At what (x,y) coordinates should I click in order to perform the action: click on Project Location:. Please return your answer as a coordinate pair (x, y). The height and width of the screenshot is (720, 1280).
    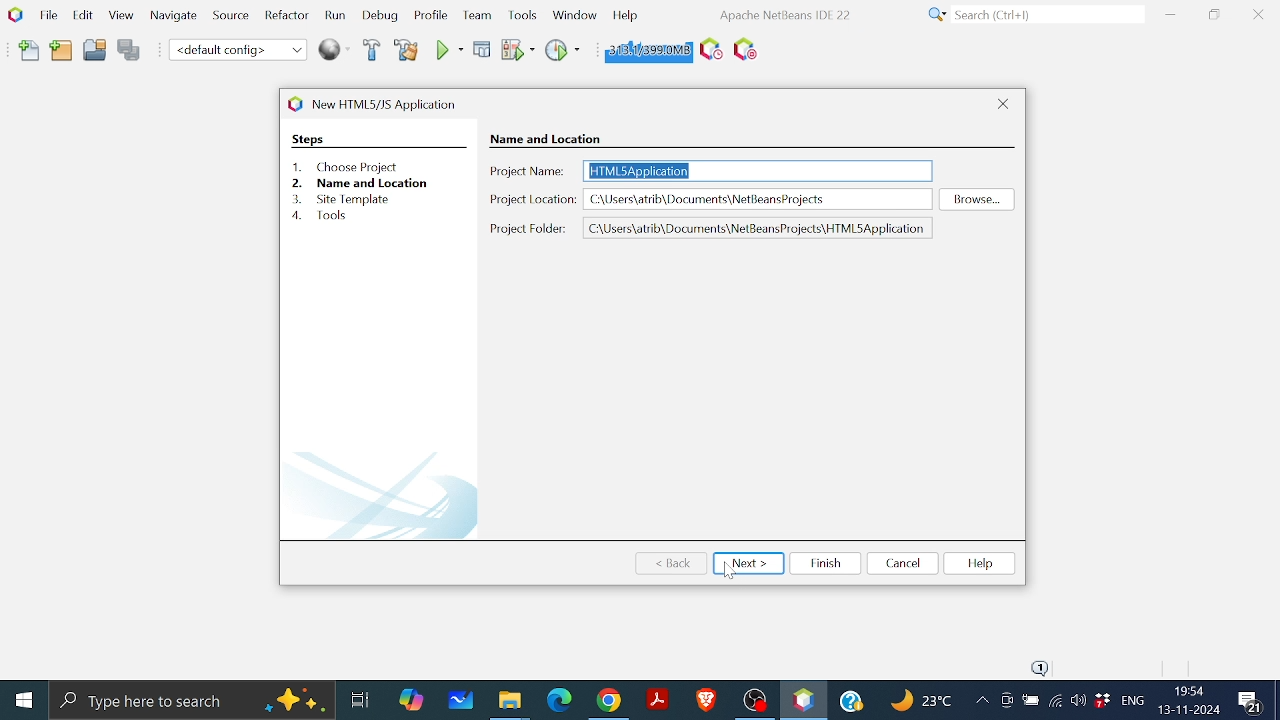
    Looking at the image, I should click on (534, 199).